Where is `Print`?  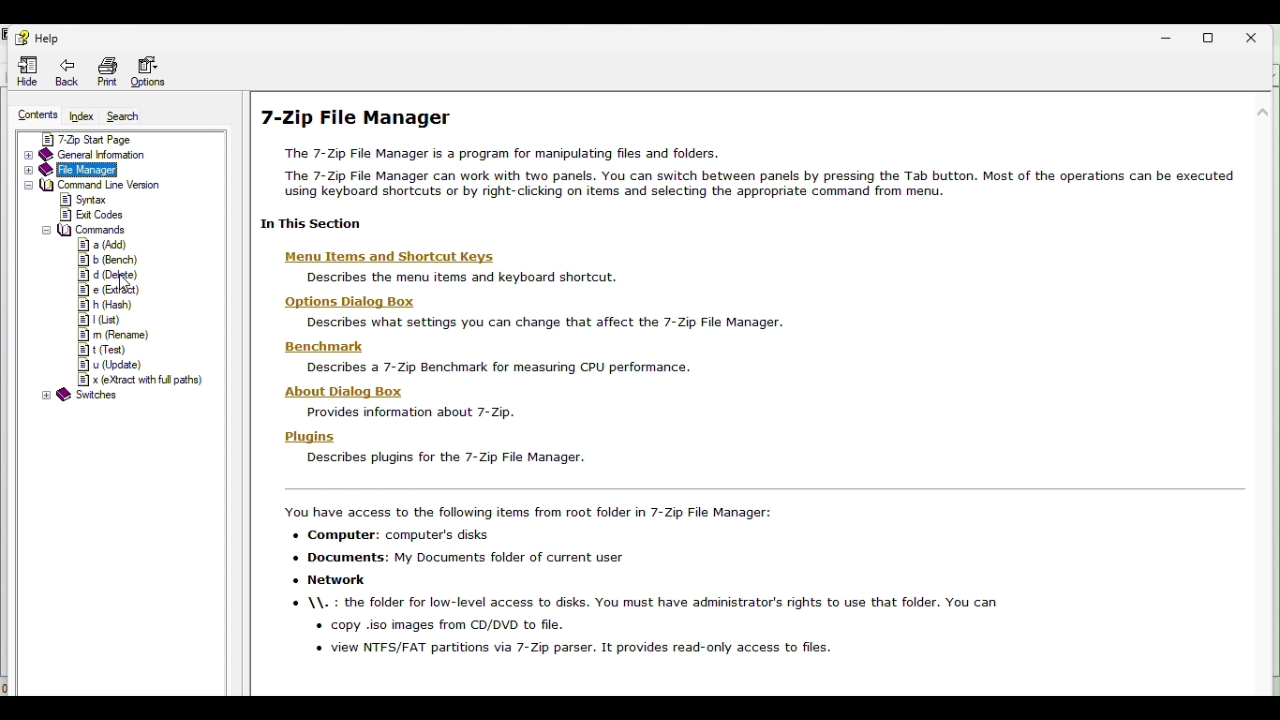
Print is located at coordinates (106, 71).